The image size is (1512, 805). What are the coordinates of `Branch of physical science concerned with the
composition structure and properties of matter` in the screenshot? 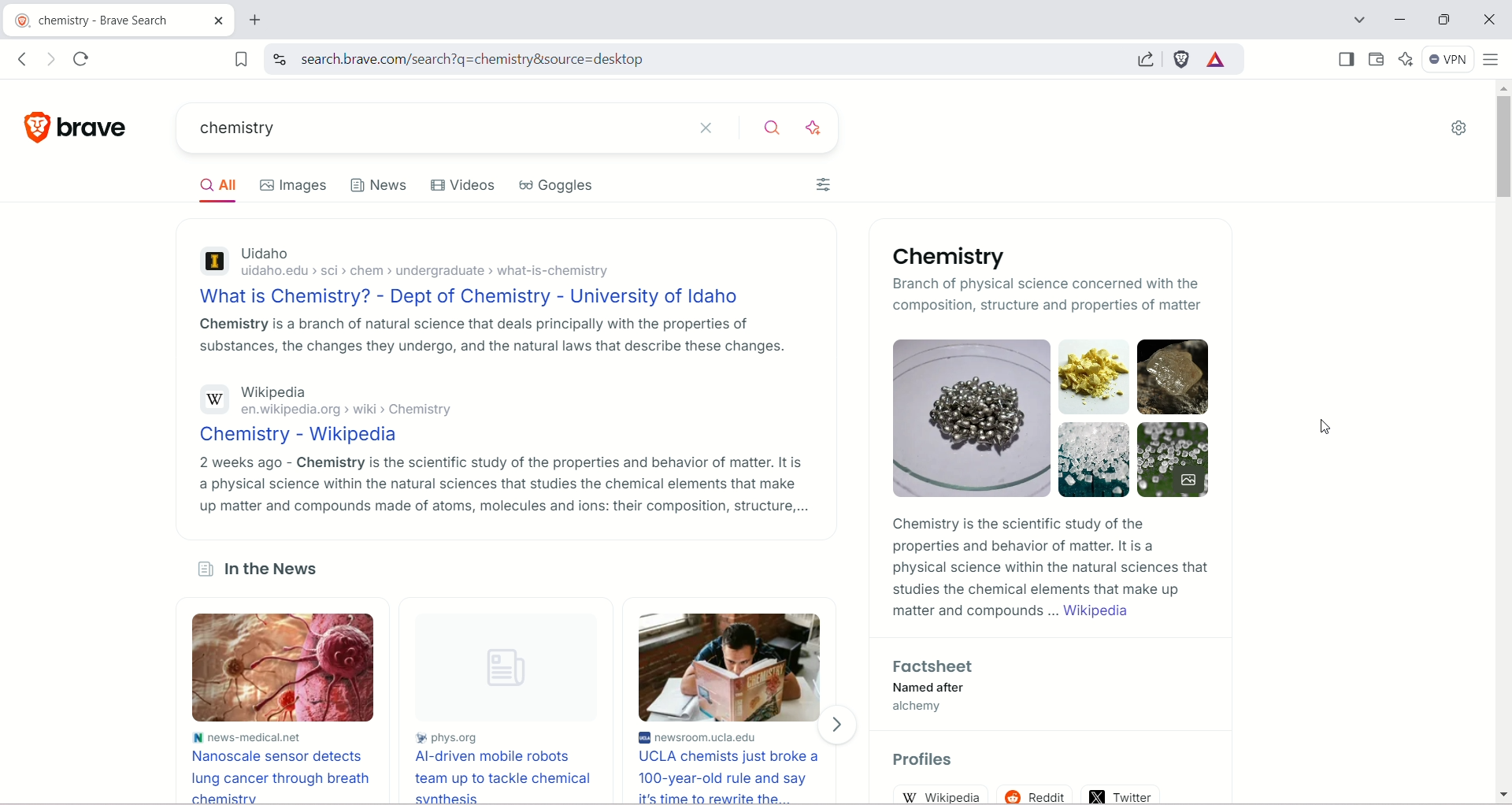 It's located at (1054, 295).